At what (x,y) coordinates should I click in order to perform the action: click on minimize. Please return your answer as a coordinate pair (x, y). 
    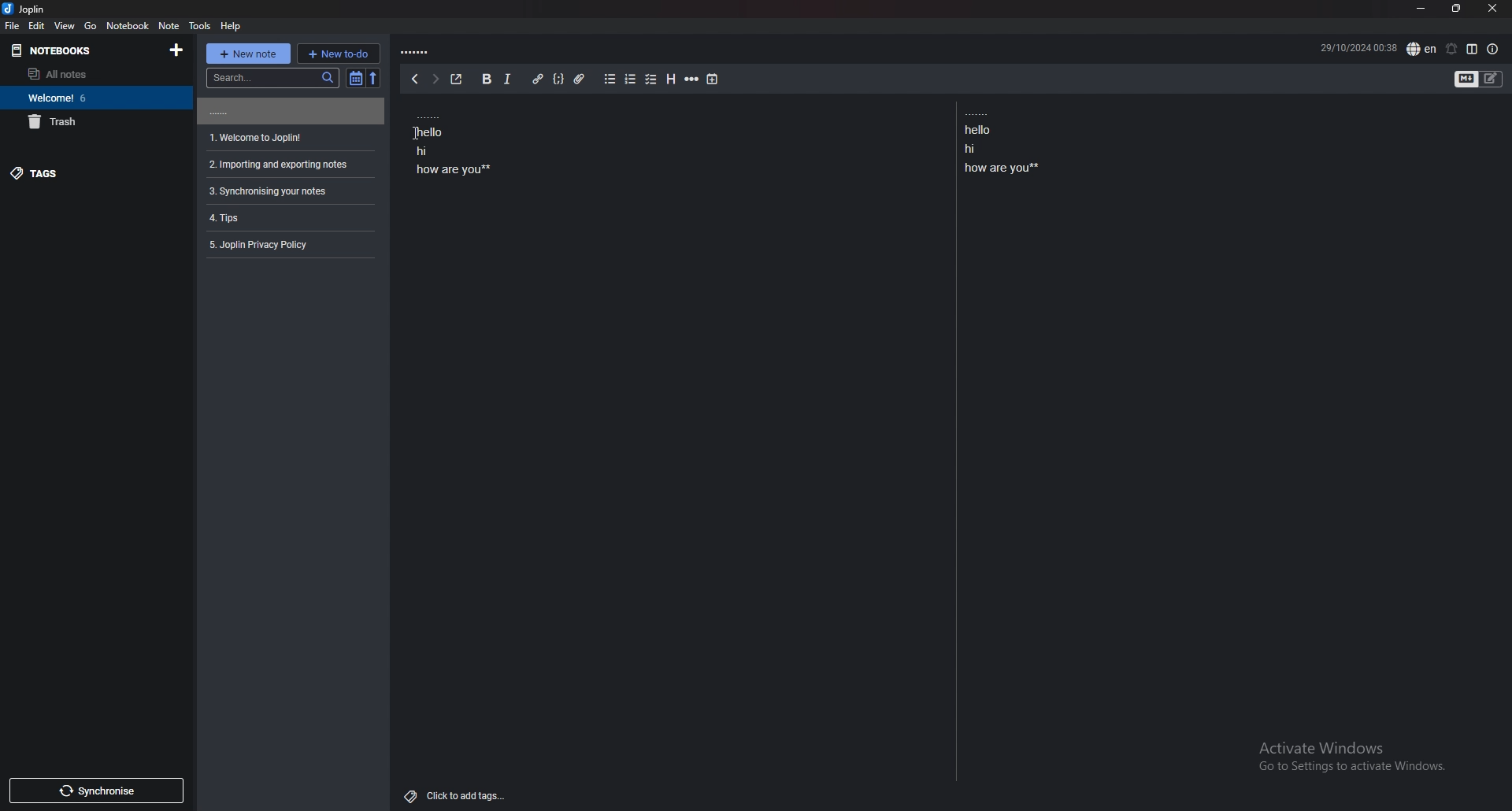
    Looking at the image, I should click on (1422, 9).